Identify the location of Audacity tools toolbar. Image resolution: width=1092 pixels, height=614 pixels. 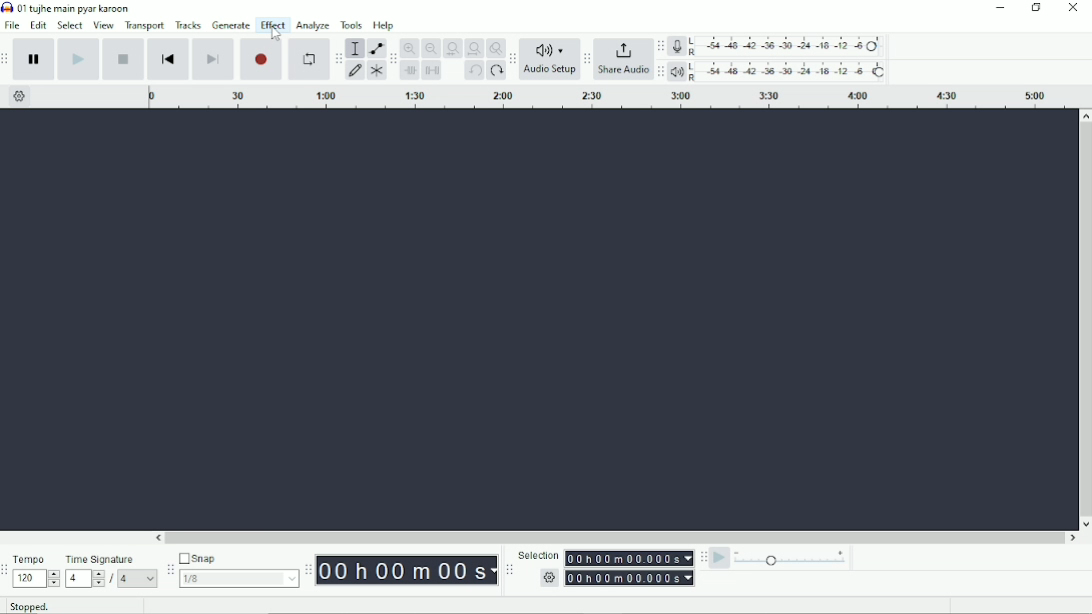
(338, 58).